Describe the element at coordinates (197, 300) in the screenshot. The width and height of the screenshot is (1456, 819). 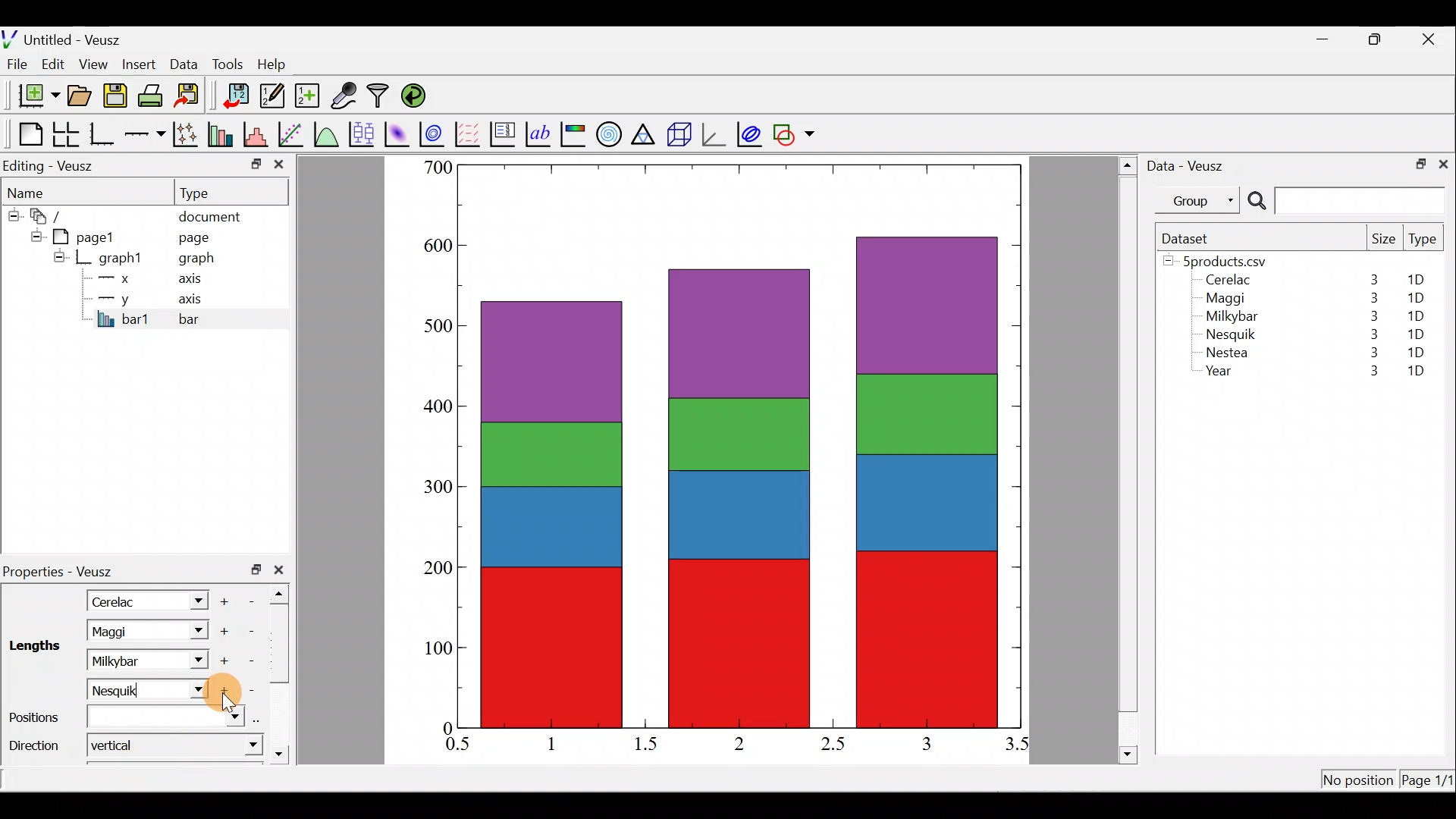
I see `axis` at that location.